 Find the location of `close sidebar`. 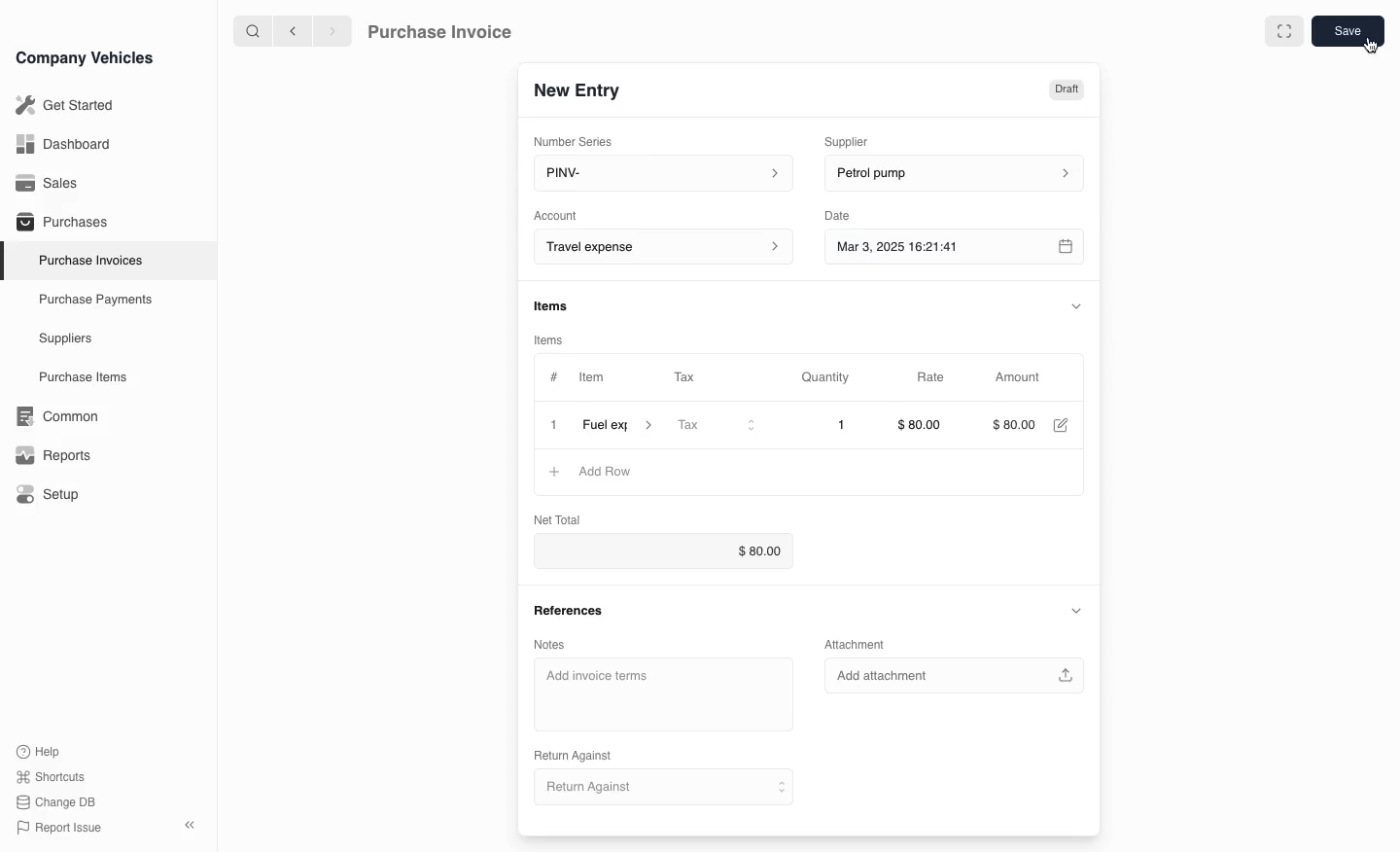

close sidebar is located at coordinates (192, 823).